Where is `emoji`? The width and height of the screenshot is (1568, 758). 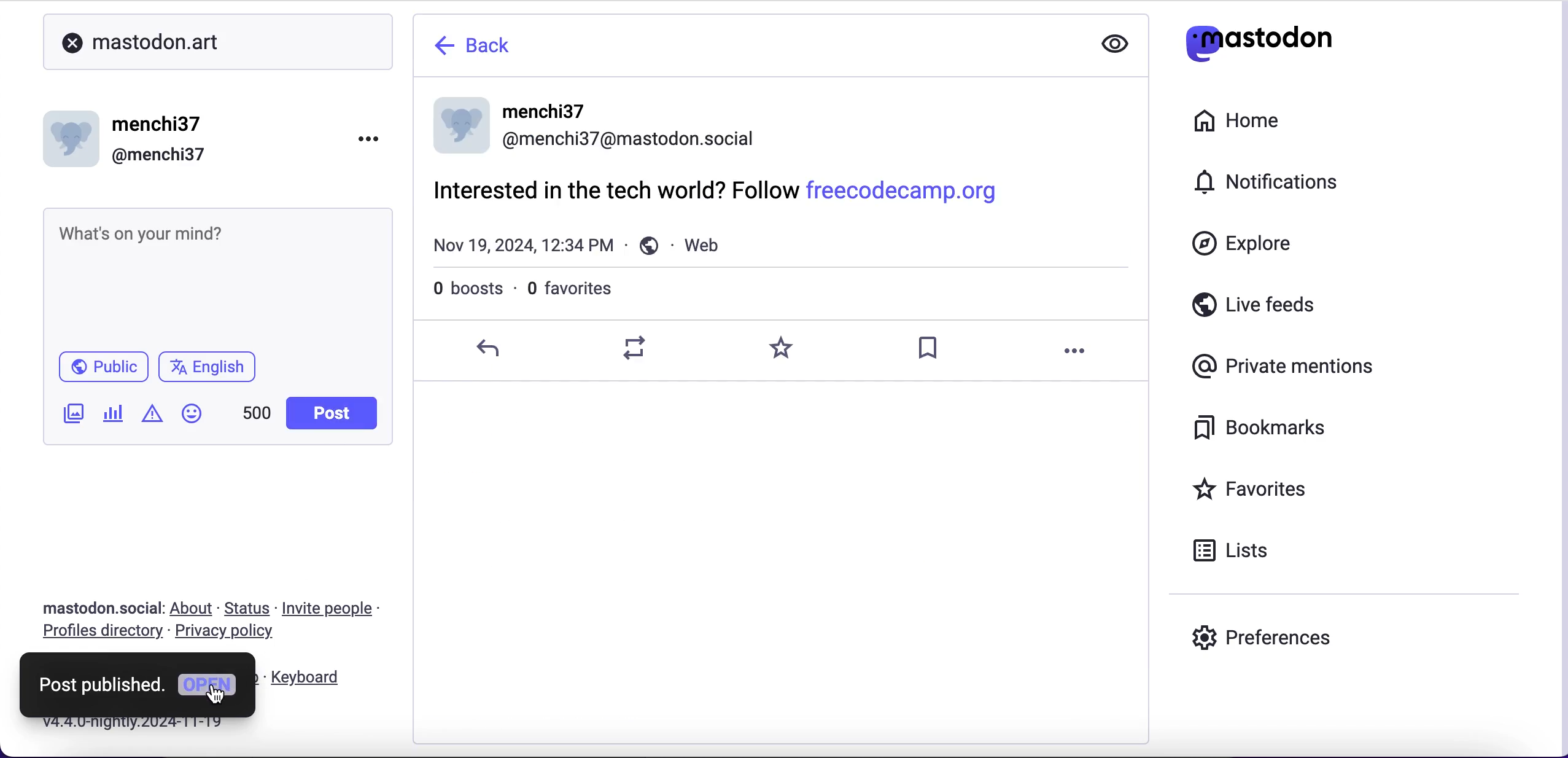
emoji is located at coordinates (192, 413).